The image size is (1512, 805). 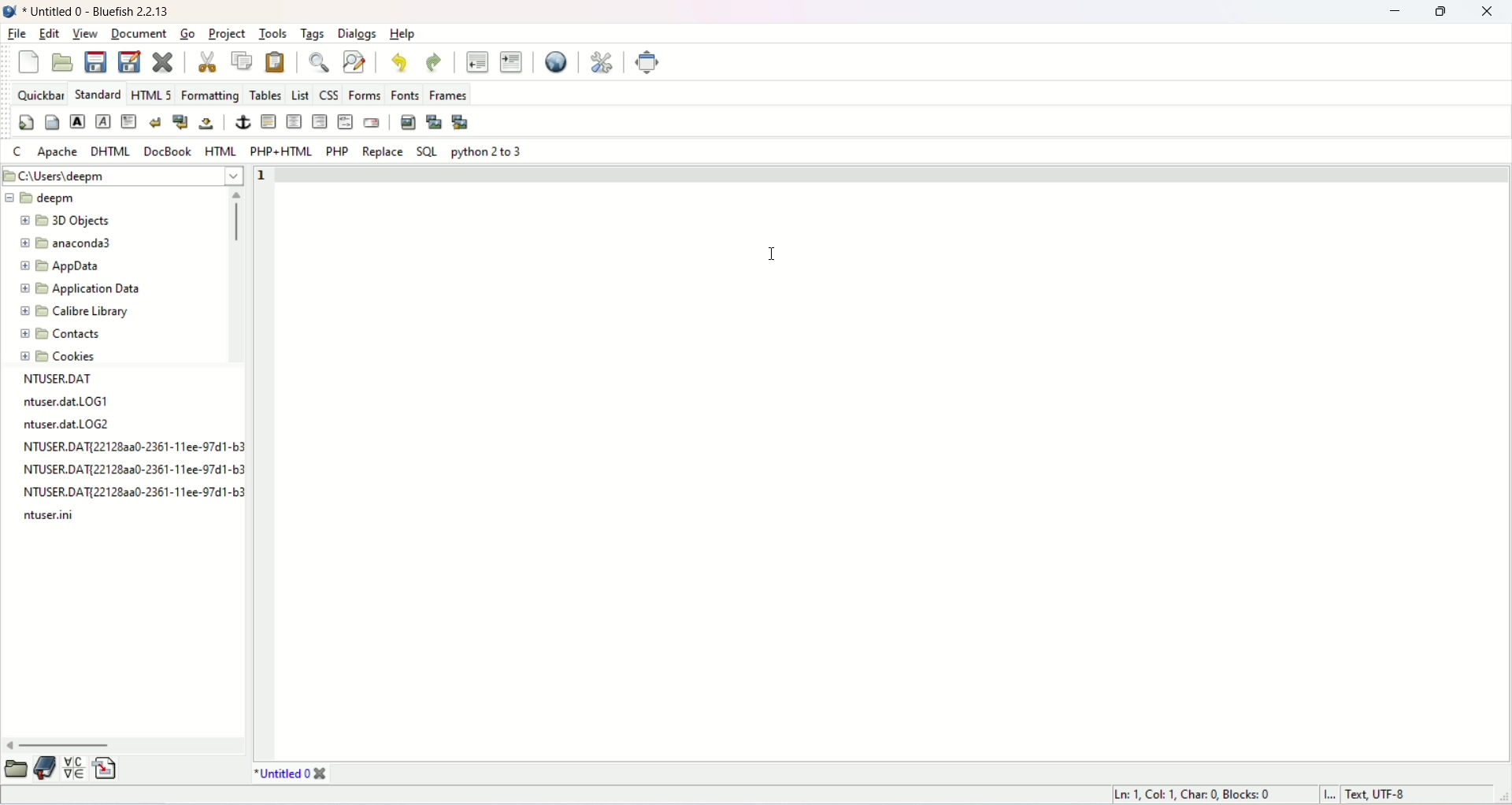 What do you see at coordinates (135, 34) in the screenshot?
I see `document` at bounding box center [135, 34].